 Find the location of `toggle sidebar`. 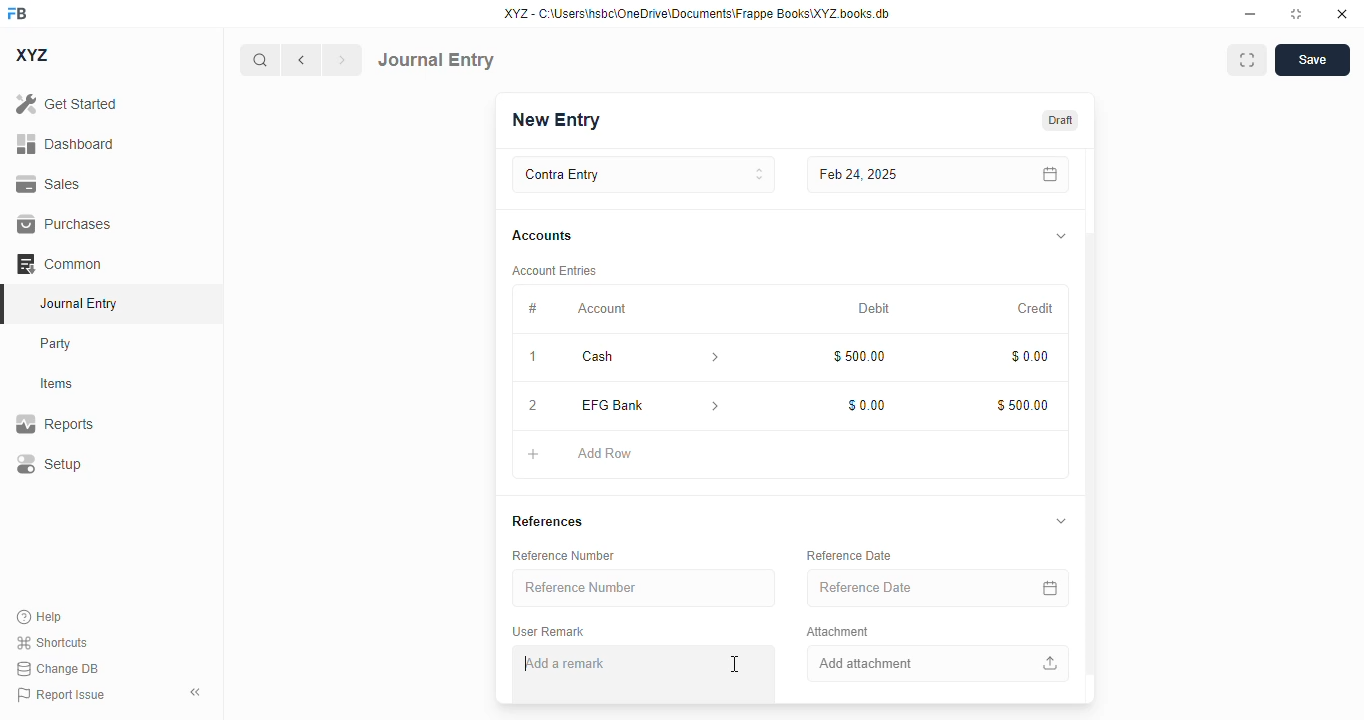

toggle sidebar is located at coordinates (197, 692).